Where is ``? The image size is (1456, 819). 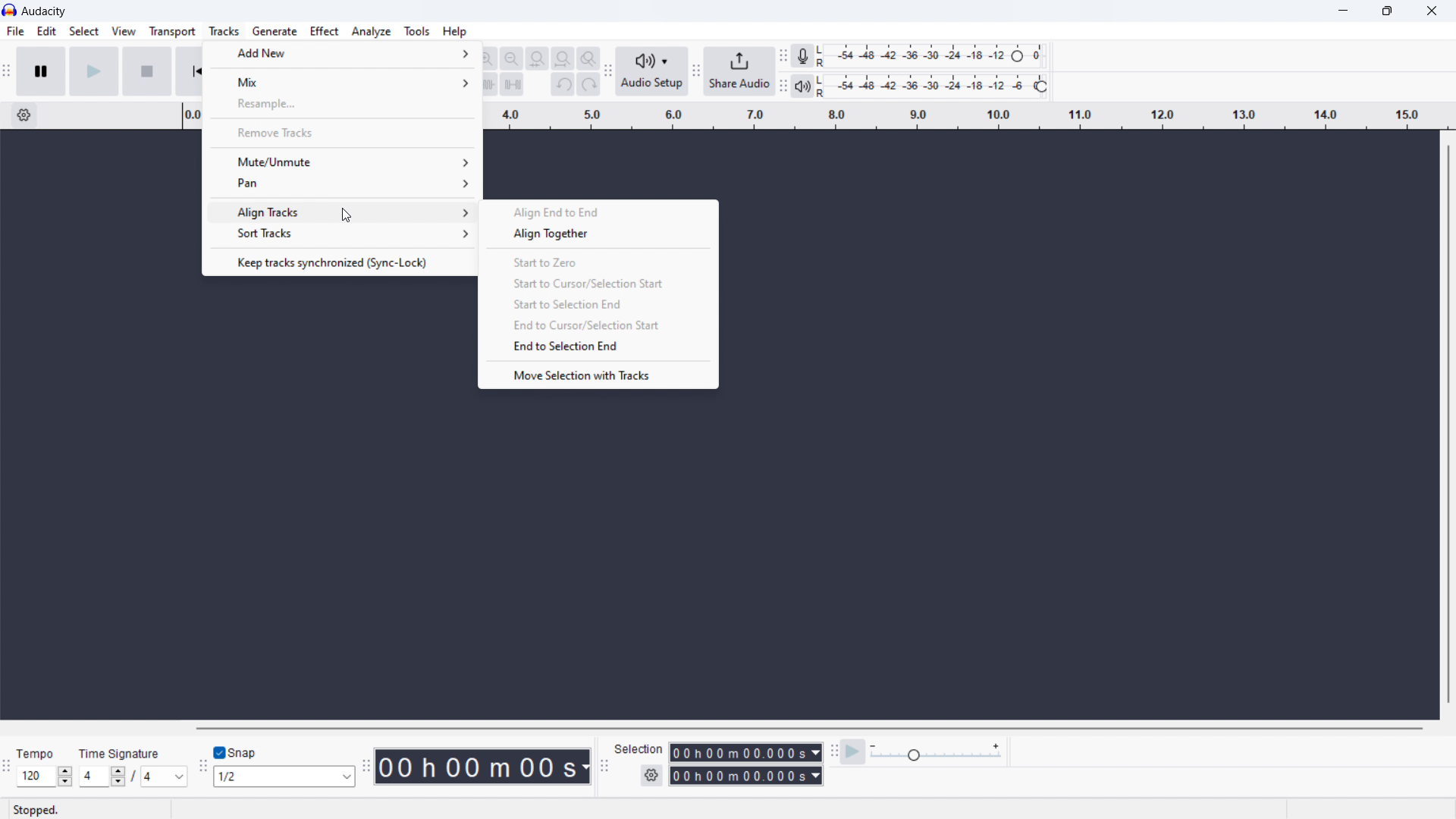
 is located at coordinates (833, 750).